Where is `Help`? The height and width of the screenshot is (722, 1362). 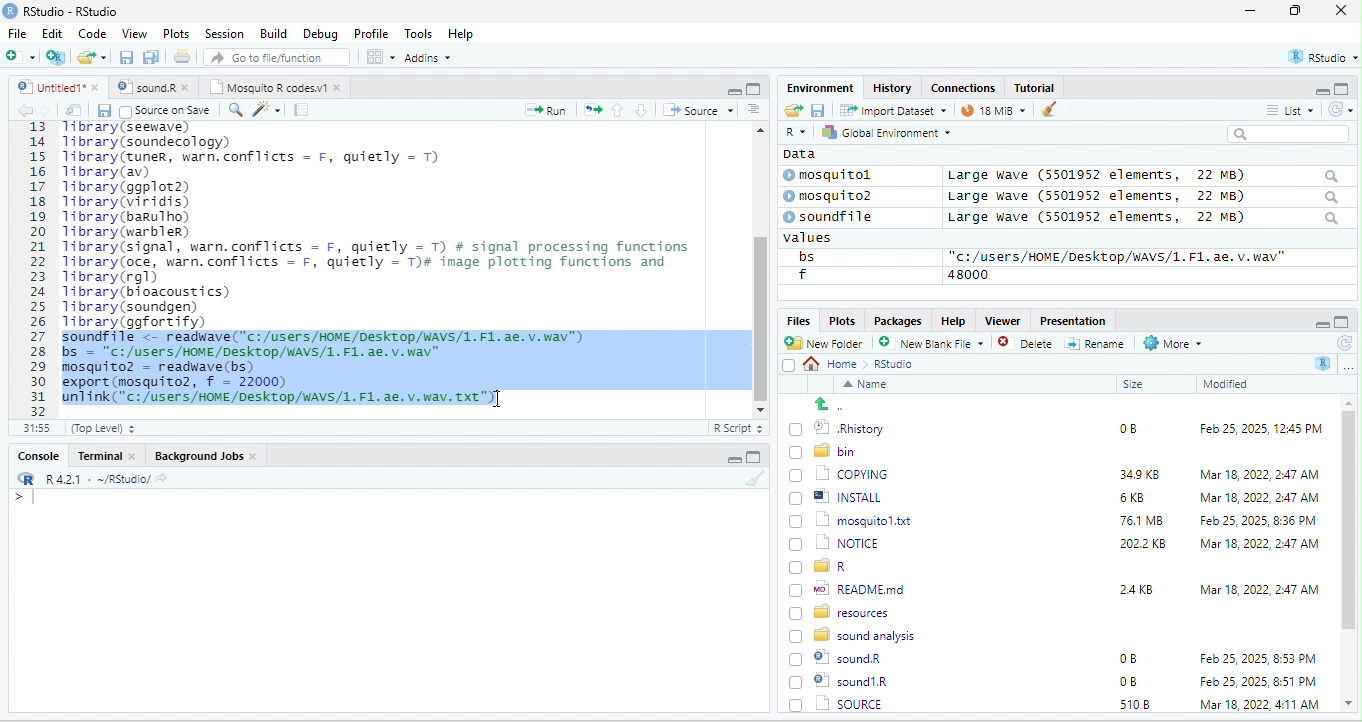
Help is located at coordinates (462, 35).